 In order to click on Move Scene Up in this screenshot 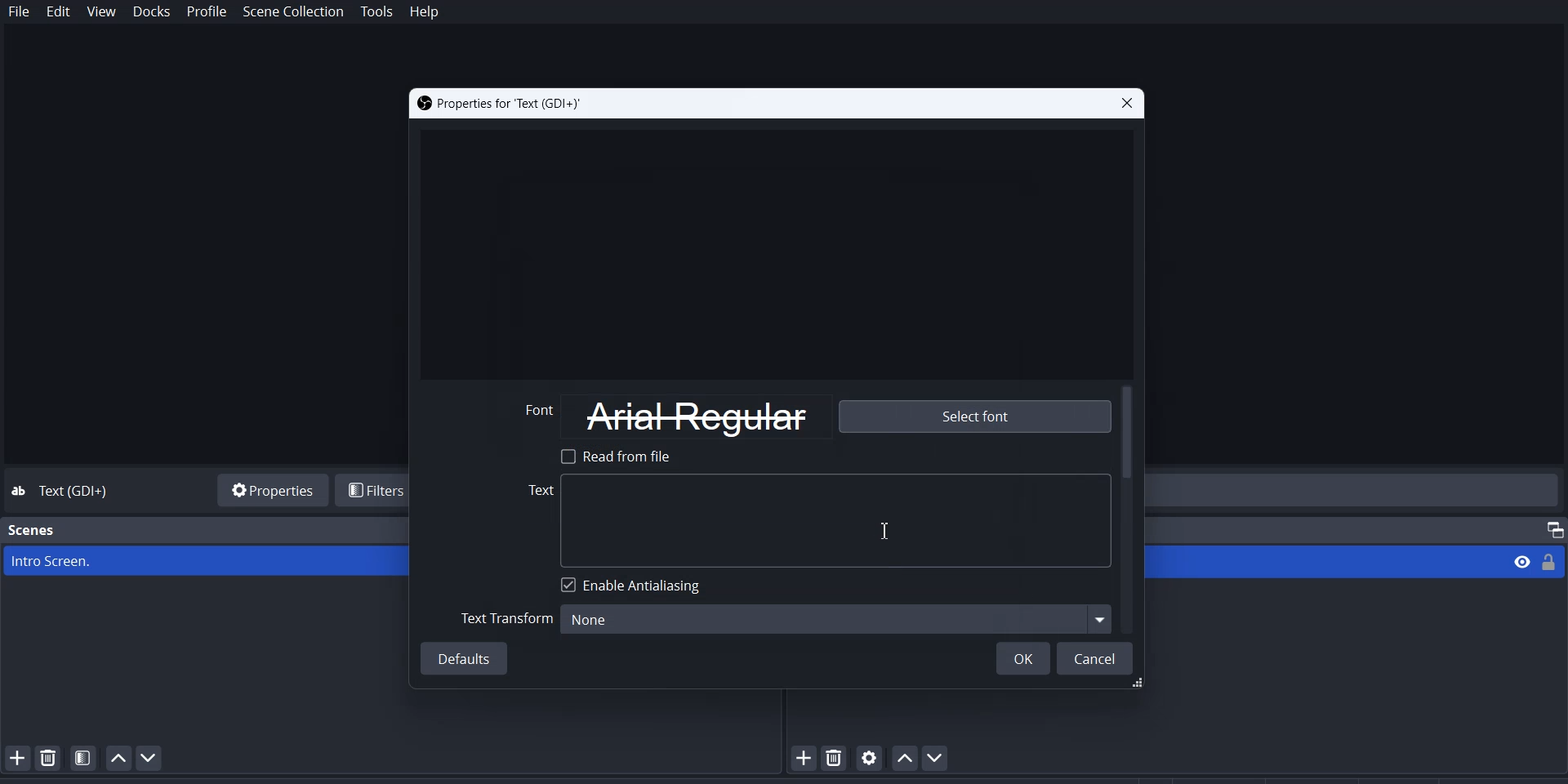, I will do `click(118, 758)`.